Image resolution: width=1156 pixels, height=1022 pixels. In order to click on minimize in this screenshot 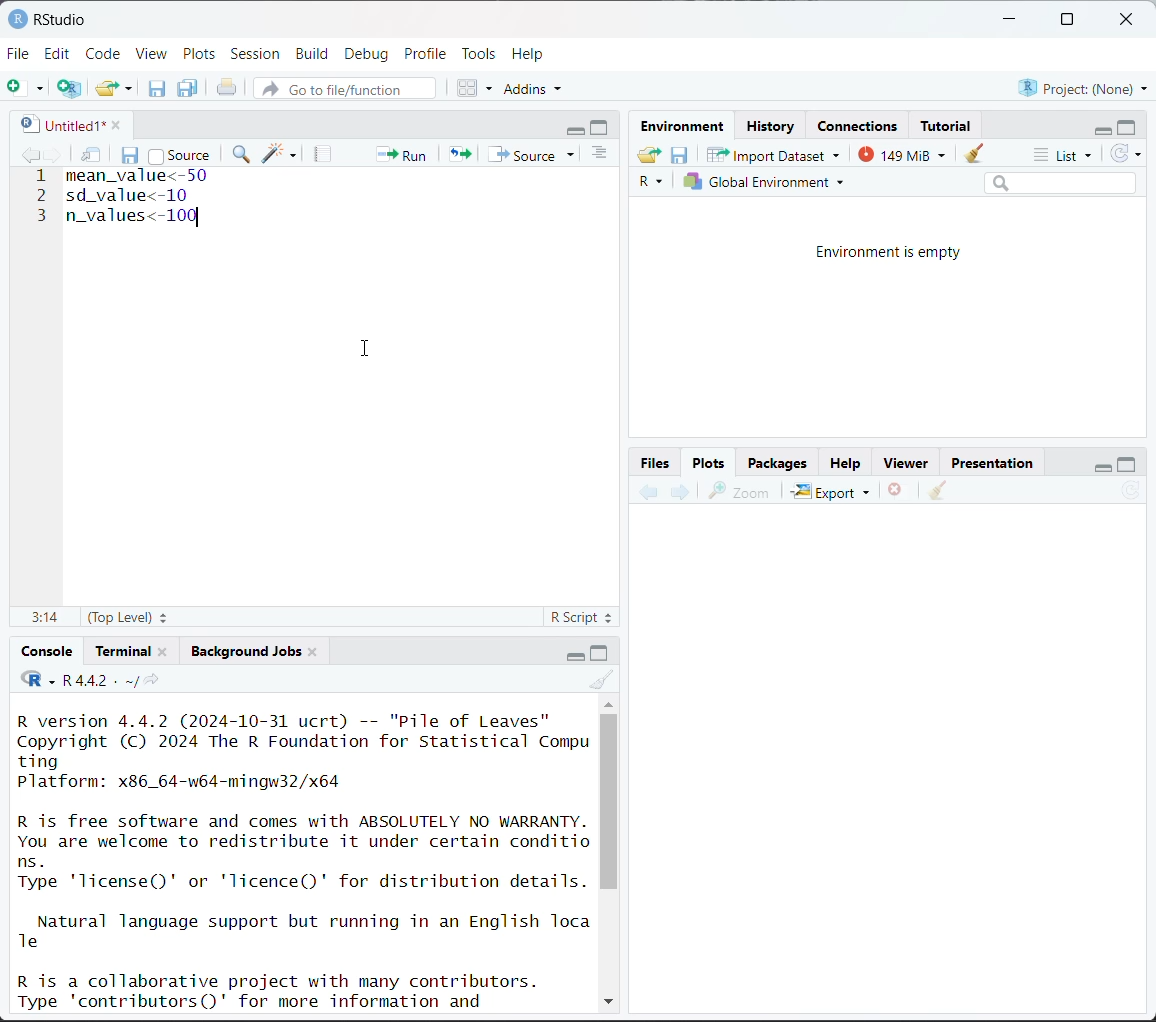, I will do `click(576, 128)`.